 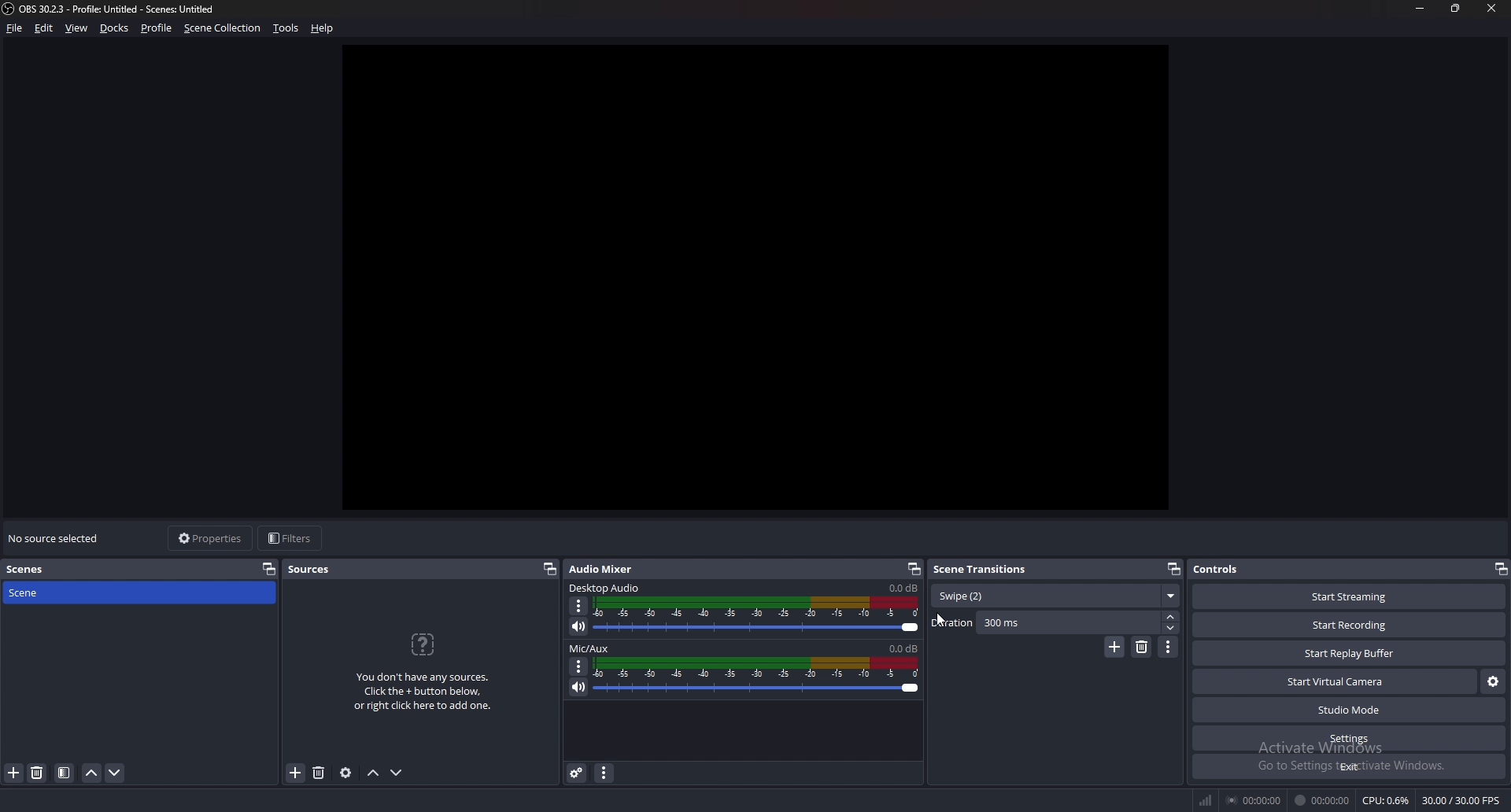 What do you see at coordinates (1350, 739) in the screenshot?
I see `settings` at bounding box center [1350, 739].